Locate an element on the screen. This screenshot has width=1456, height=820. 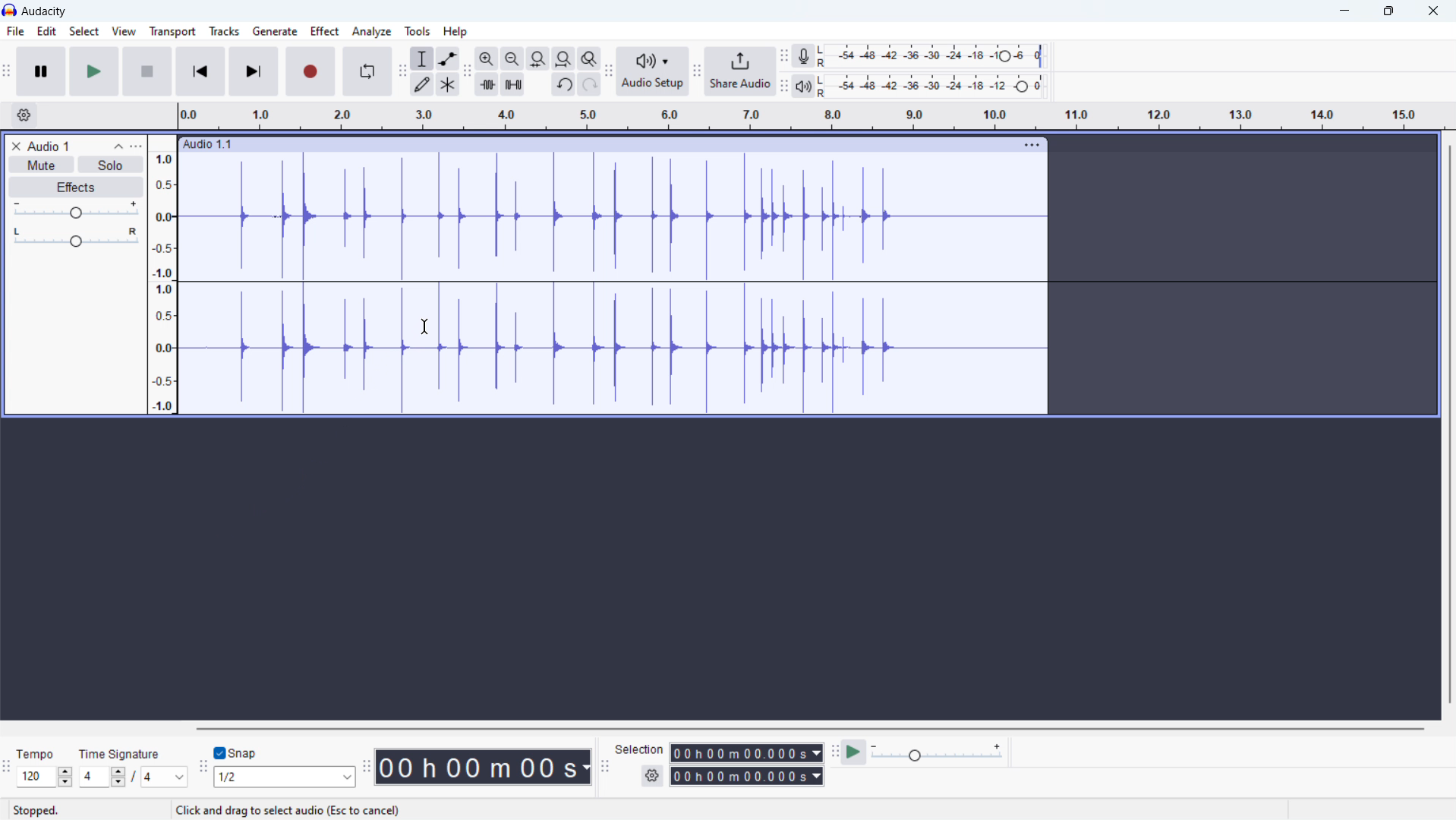
stop is located at coordinates (148, 71).